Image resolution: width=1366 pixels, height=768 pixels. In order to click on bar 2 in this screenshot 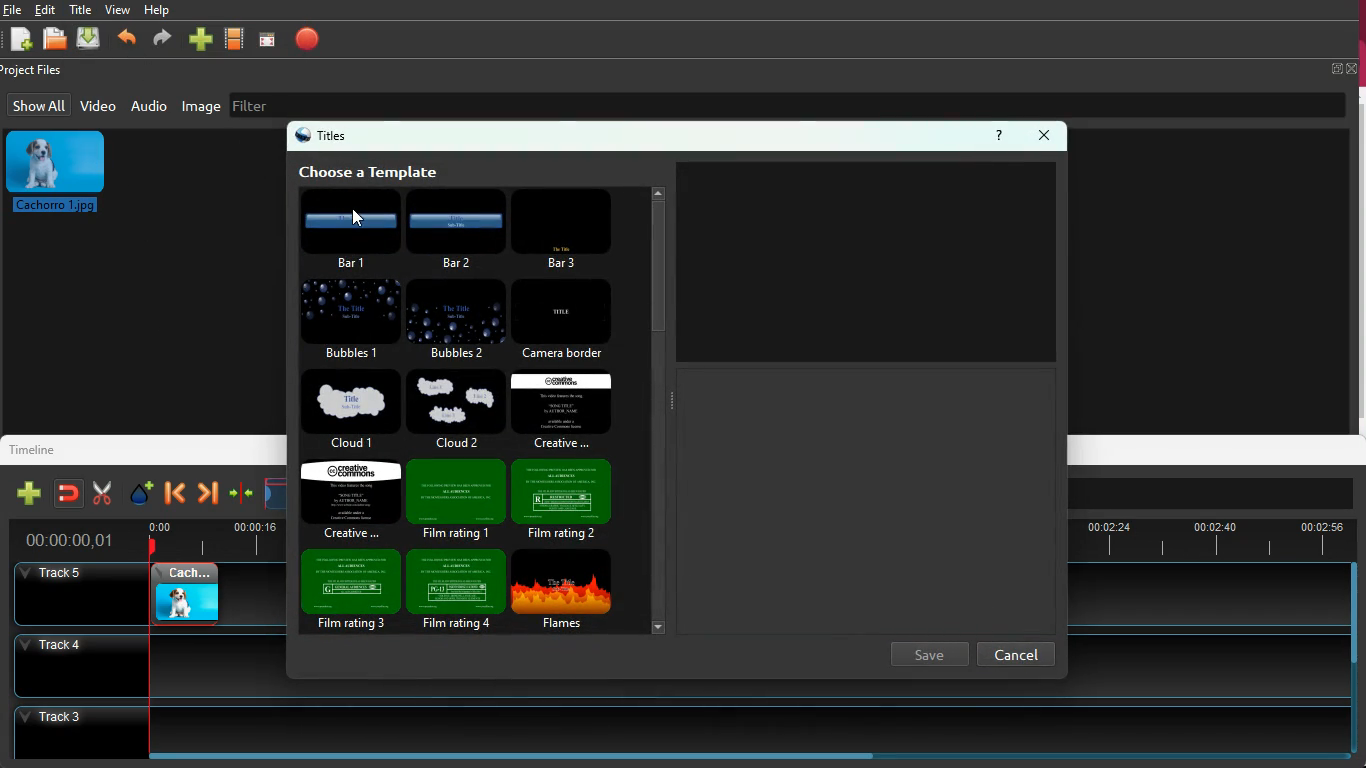, I will do `click(458, 228)`.